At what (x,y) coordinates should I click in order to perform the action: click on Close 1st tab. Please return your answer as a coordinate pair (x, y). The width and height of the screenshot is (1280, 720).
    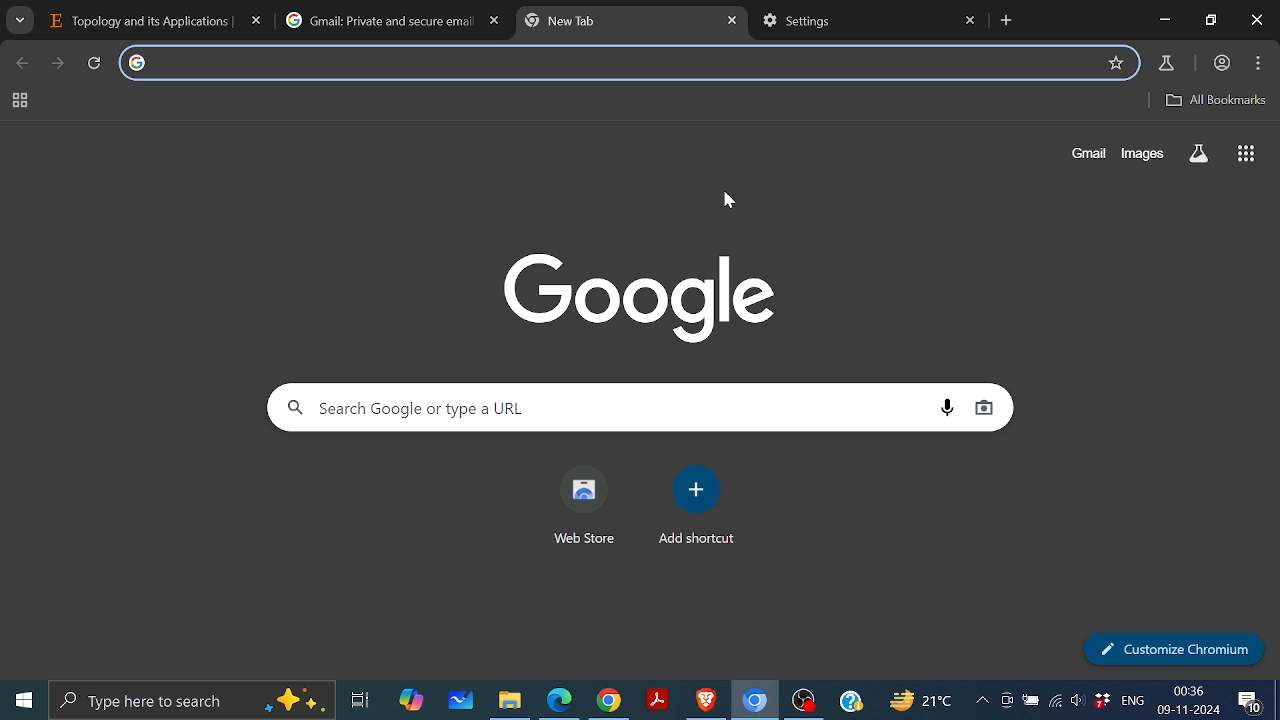
    Looking at the image, I should click on (255, 20).